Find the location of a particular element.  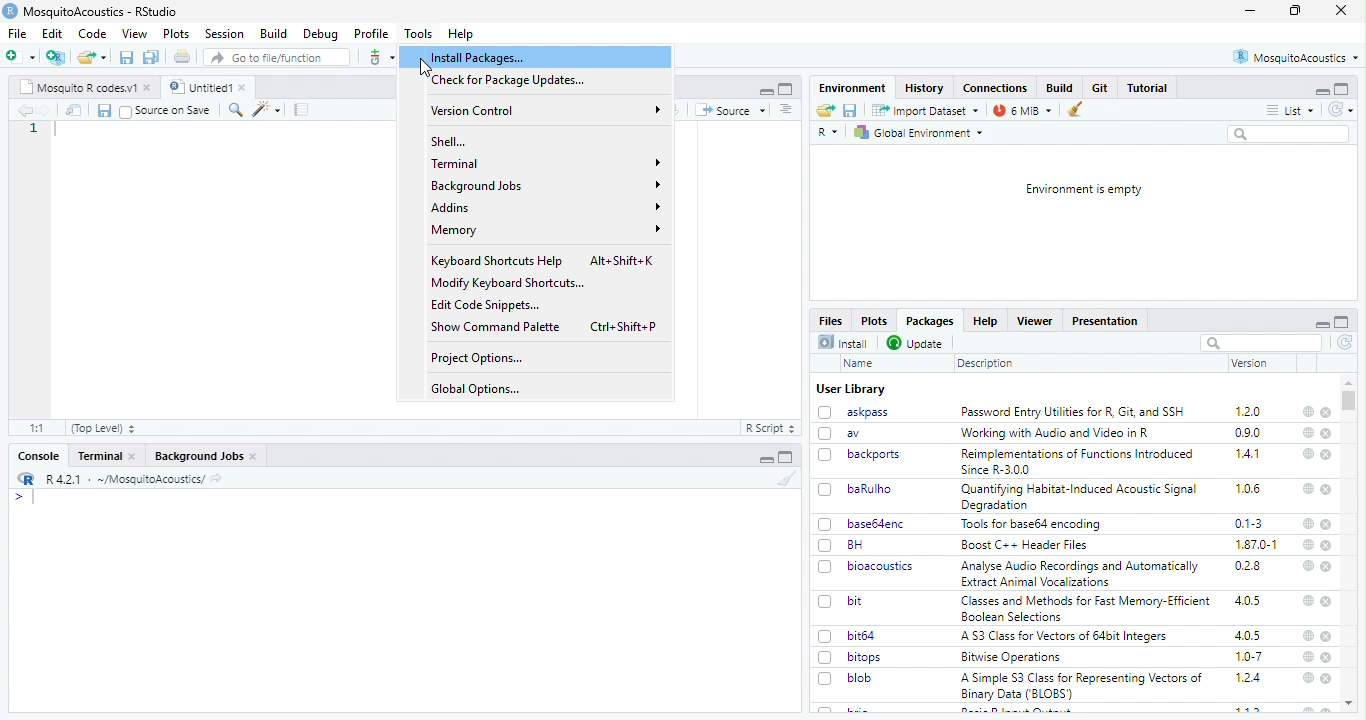

History is located at coordinates (925, 89).